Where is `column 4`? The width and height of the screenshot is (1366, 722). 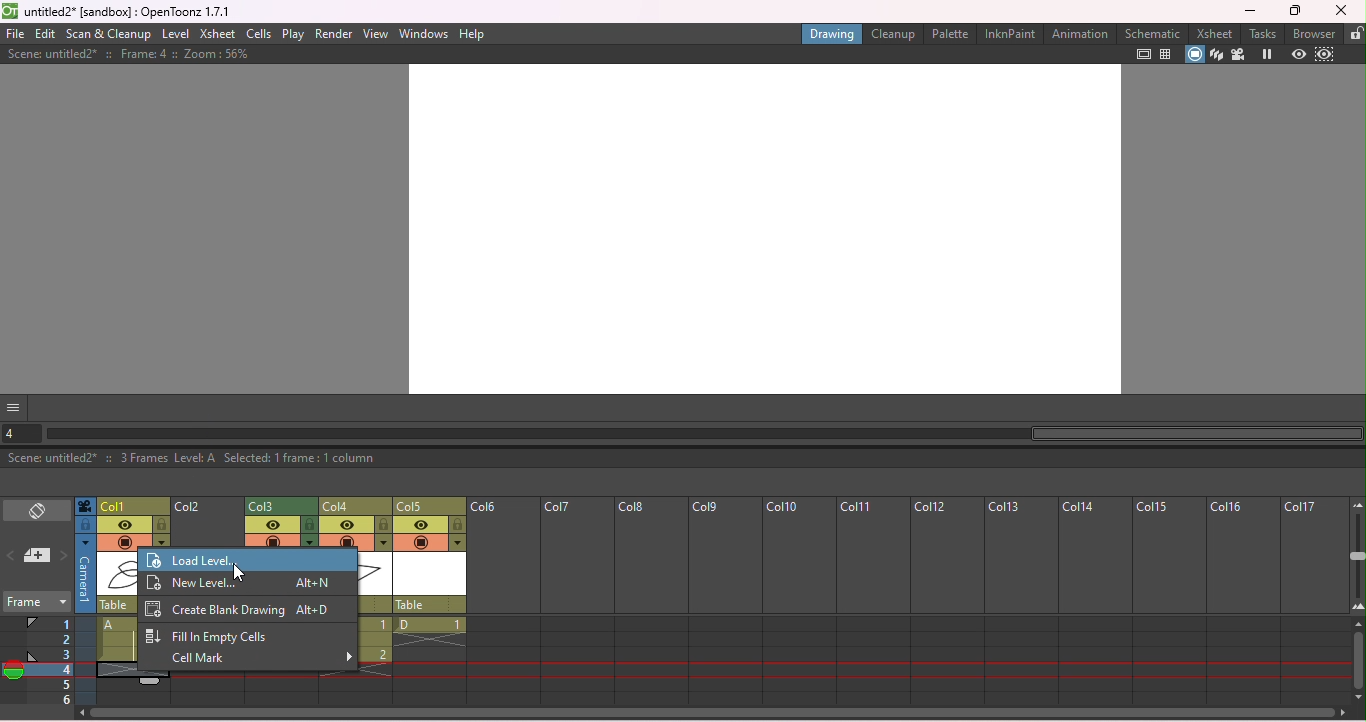 column 4 is located at coordinates (355, 505).